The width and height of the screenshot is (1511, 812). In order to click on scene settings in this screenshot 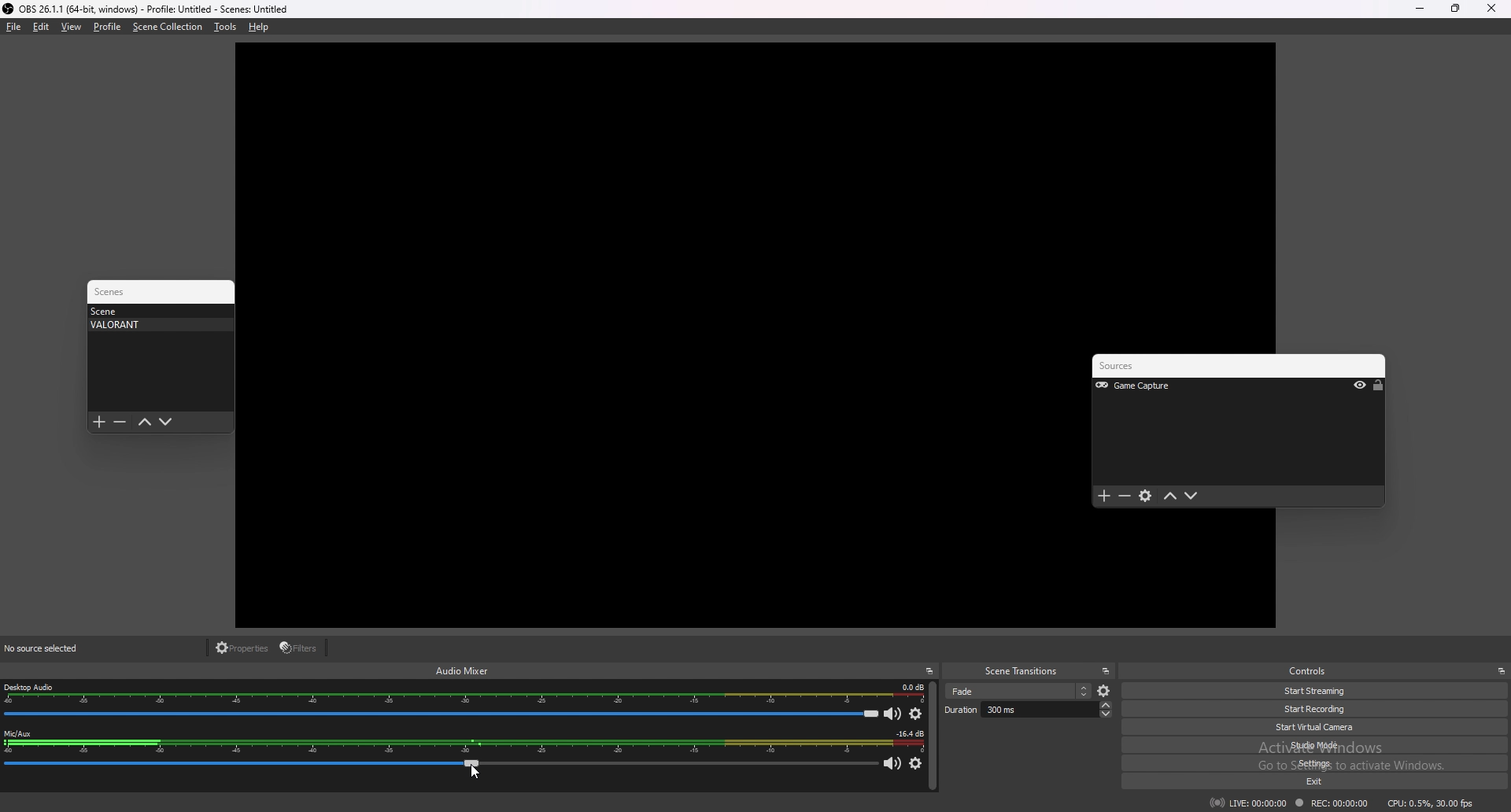, I will do `click(1105, 692)`.